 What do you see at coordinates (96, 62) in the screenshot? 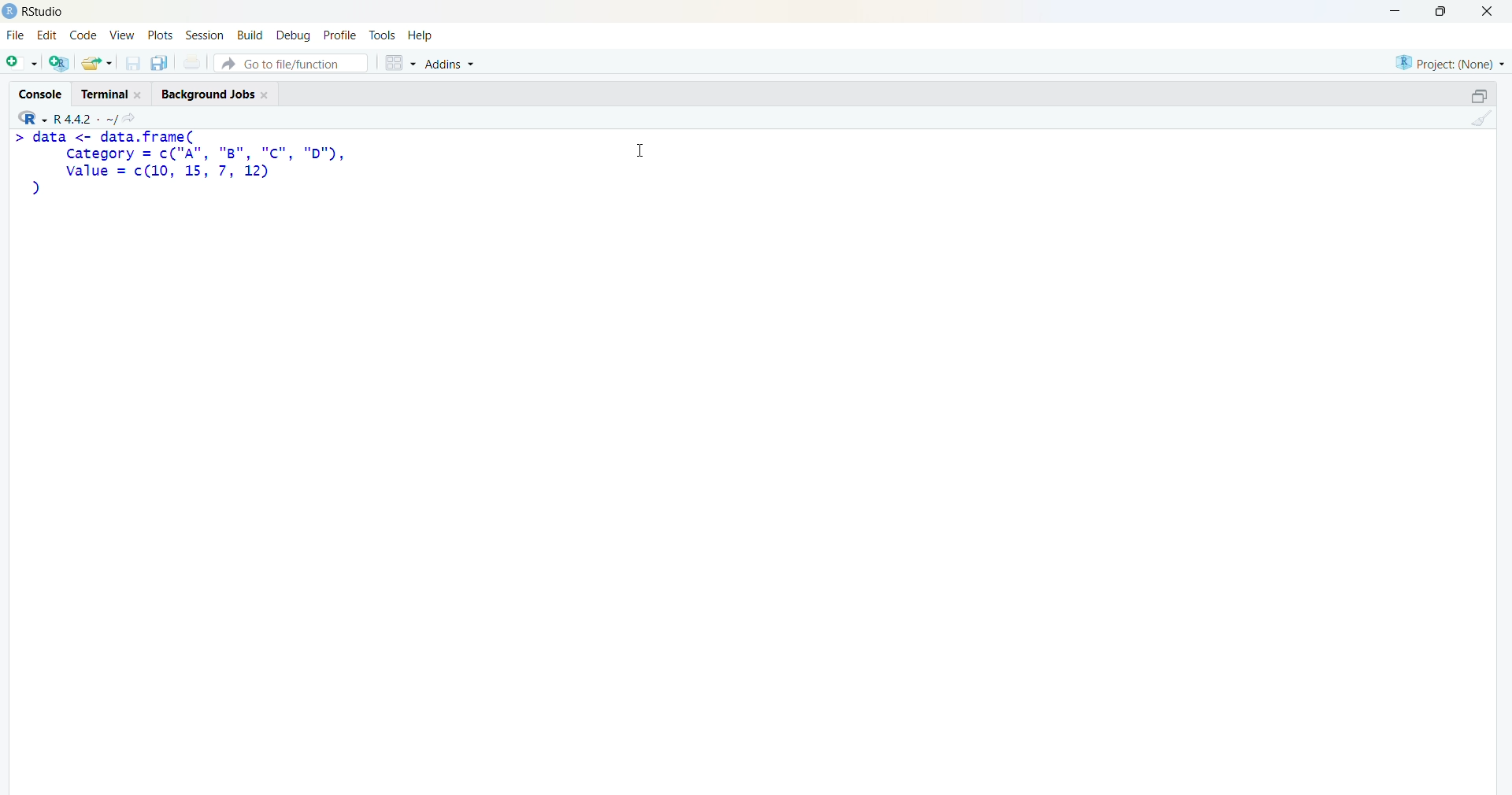
I see `open an existing file` at bounding box center [96, 62].